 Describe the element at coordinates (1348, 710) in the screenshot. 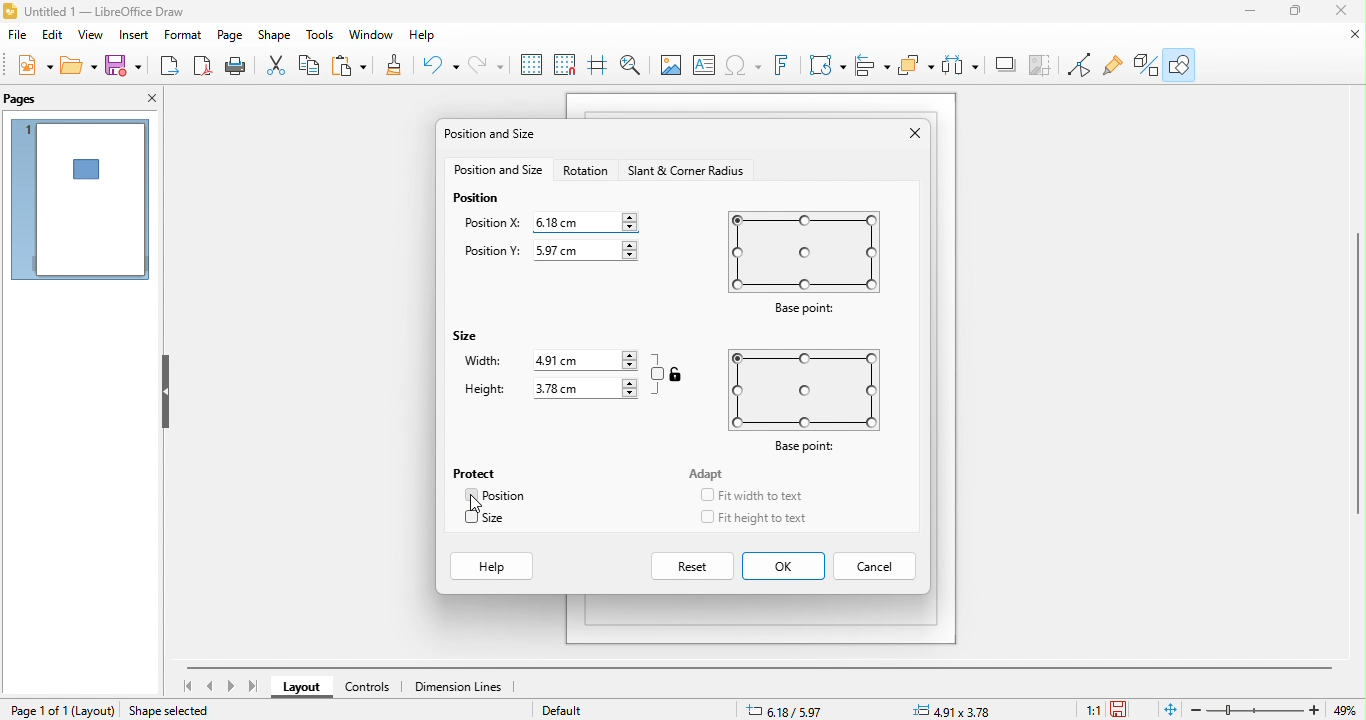

I see `49` at that location.